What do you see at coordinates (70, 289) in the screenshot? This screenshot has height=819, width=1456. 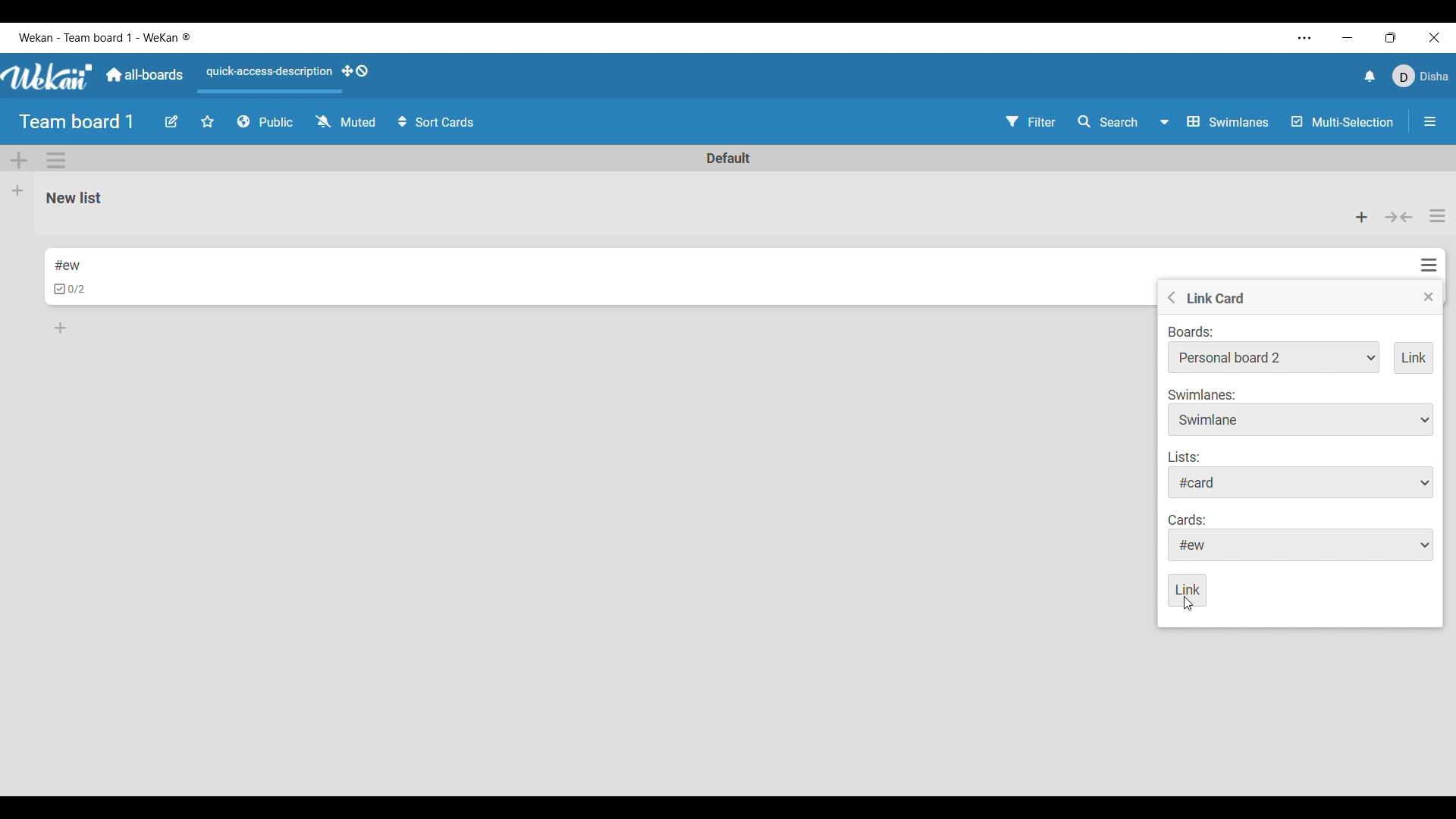 I see `Indicates checklists in card` at bounding box center [70, 289].